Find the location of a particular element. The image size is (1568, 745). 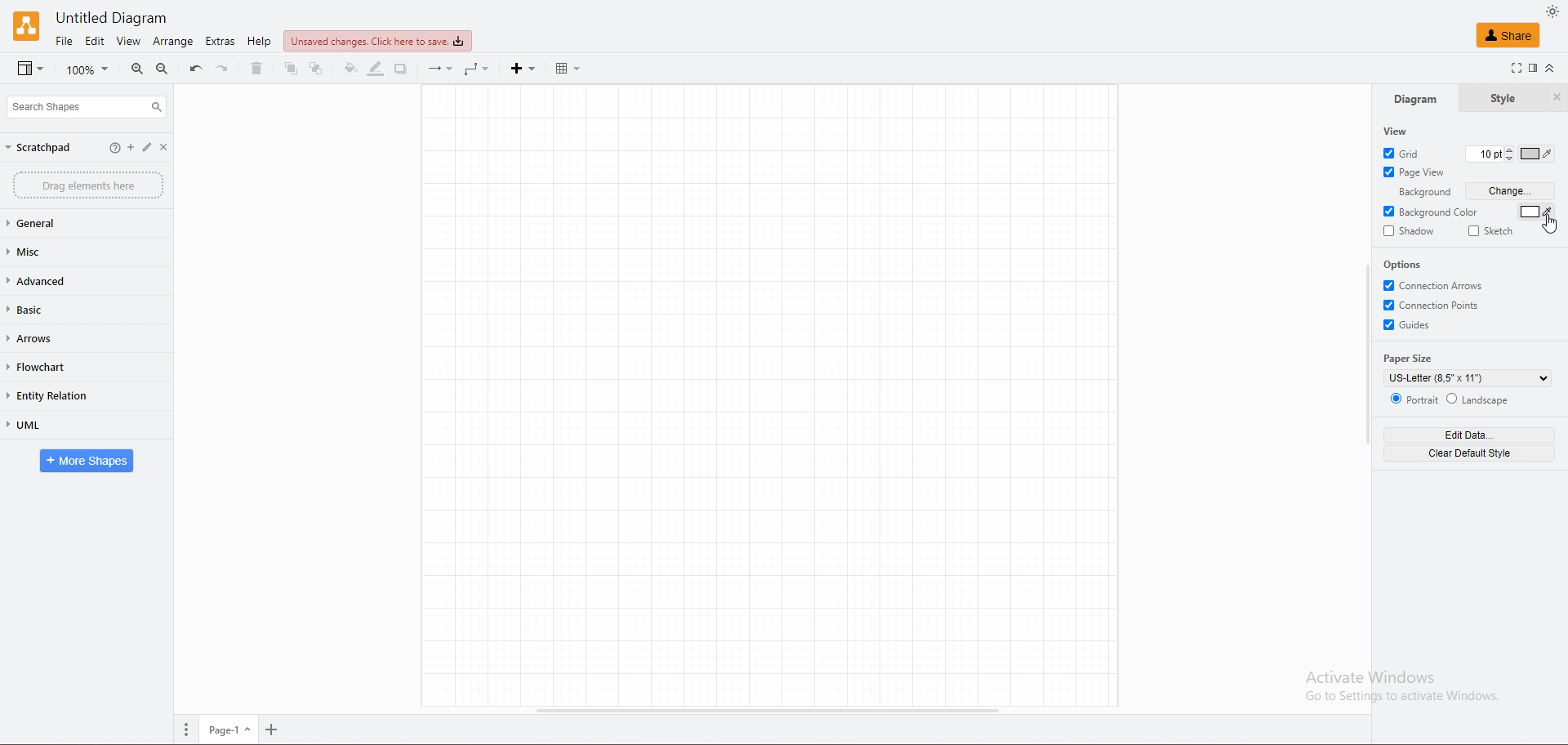

decrease grid value is located at coordinates (1508, 161).